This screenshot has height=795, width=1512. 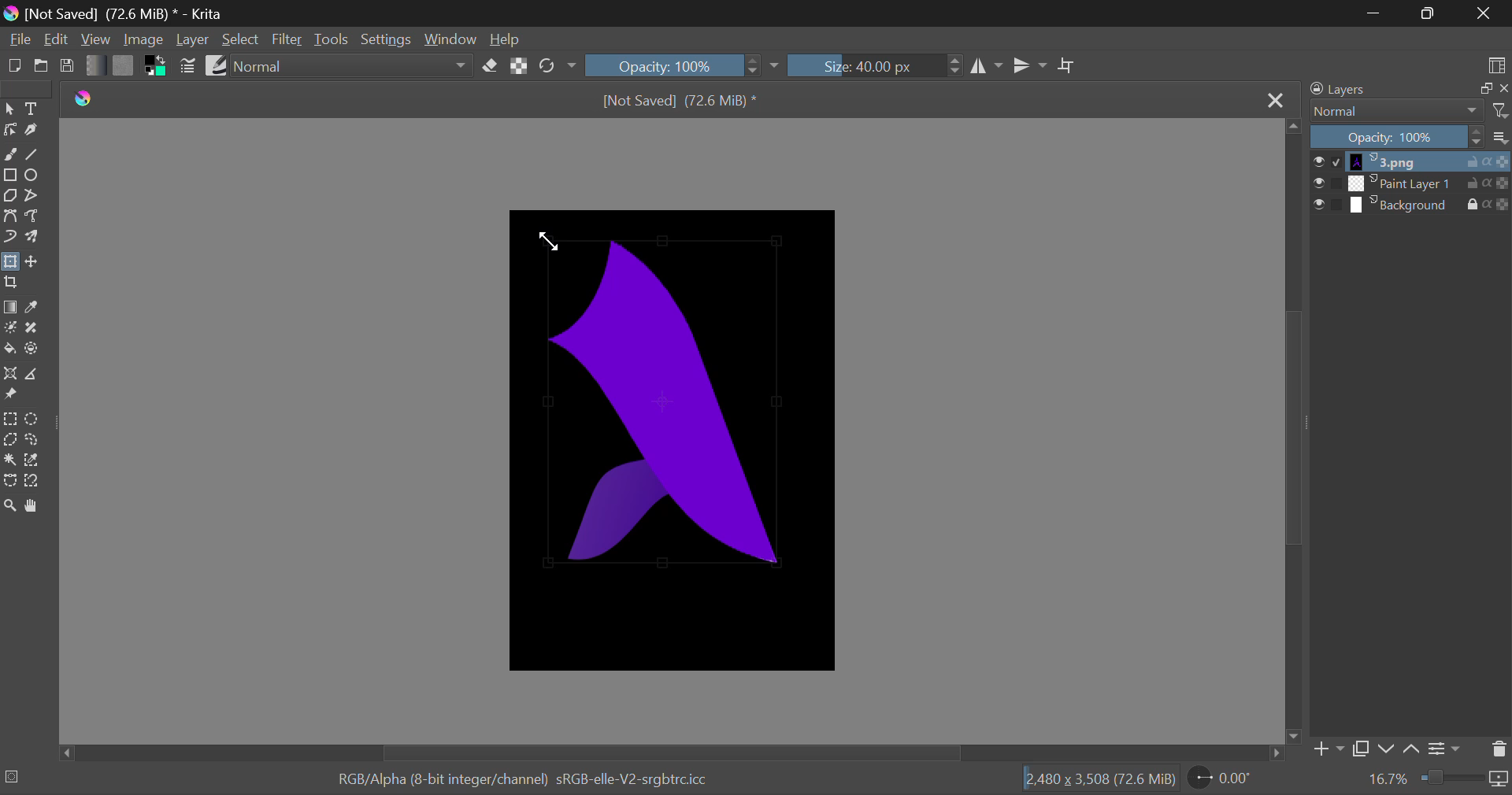 What do you see at coordinates (875, 66) in the screenshot?
I see `Brush Size` at bounding box center [875, 66].